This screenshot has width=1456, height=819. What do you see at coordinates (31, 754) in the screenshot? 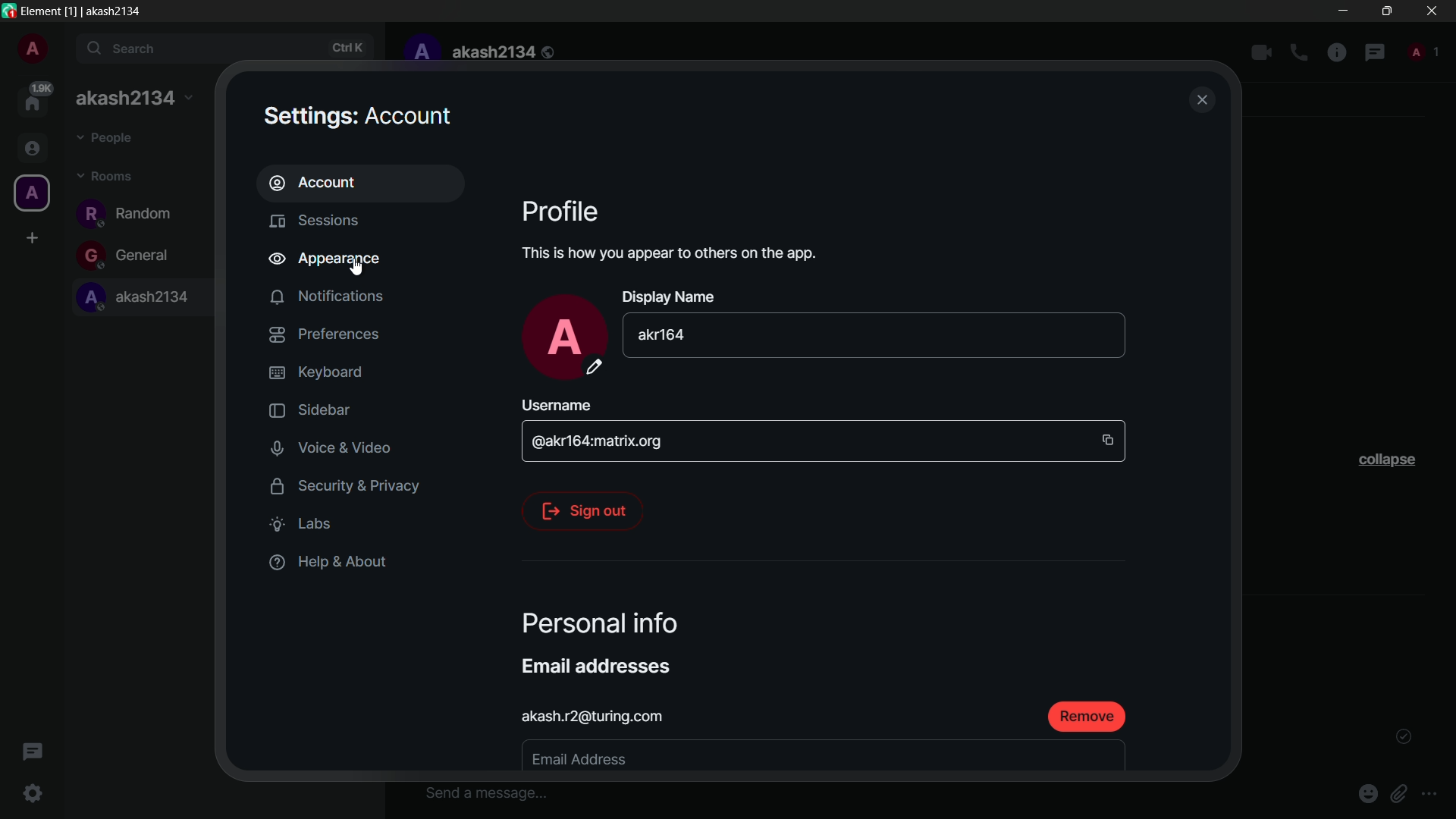
I see `threads` at bounding box center [31, 754].